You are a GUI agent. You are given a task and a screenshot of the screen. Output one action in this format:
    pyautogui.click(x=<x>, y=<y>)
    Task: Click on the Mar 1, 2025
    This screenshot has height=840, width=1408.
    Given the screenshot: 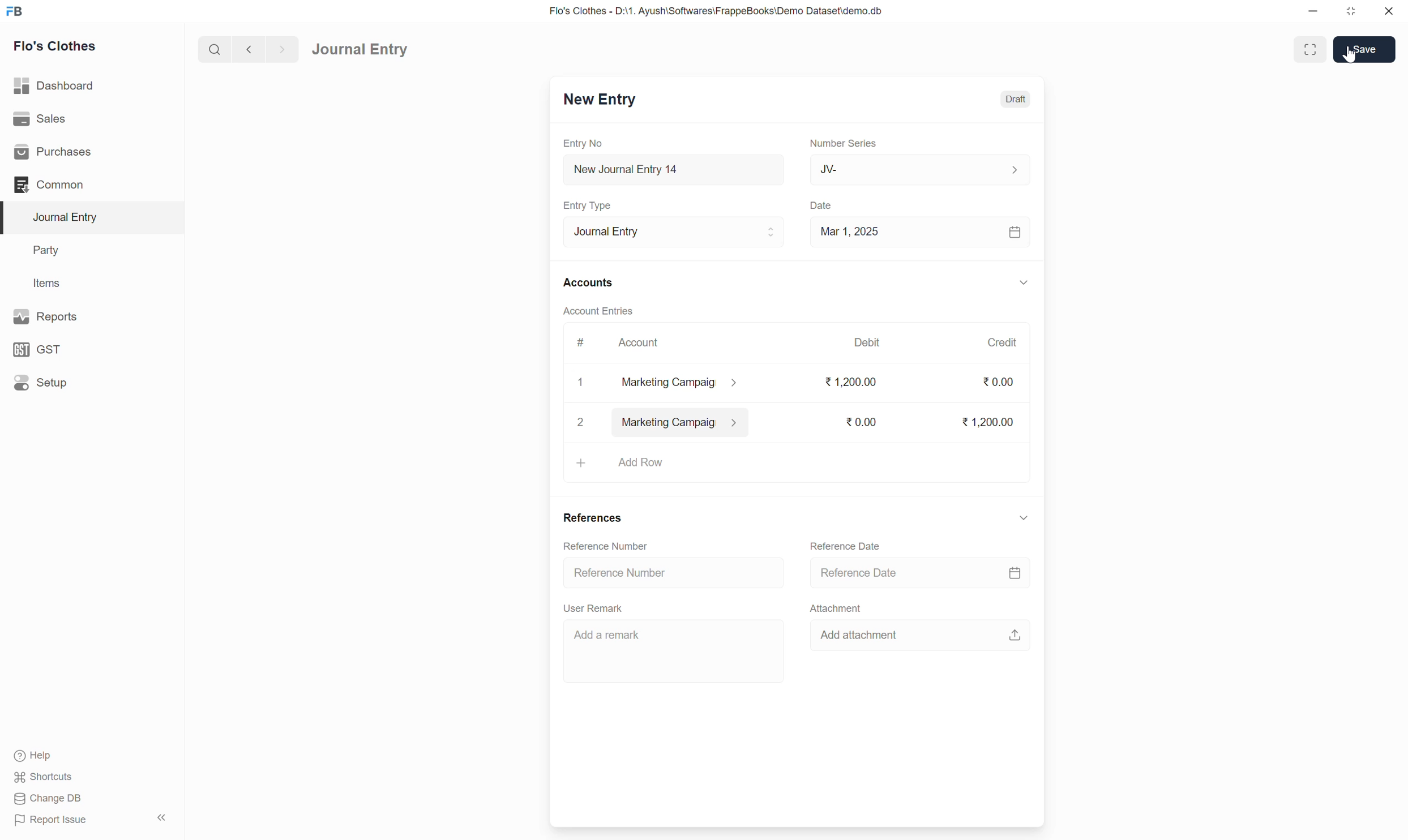 What is the action you would take?
    pyautogui.click(x=850, y=231)
    